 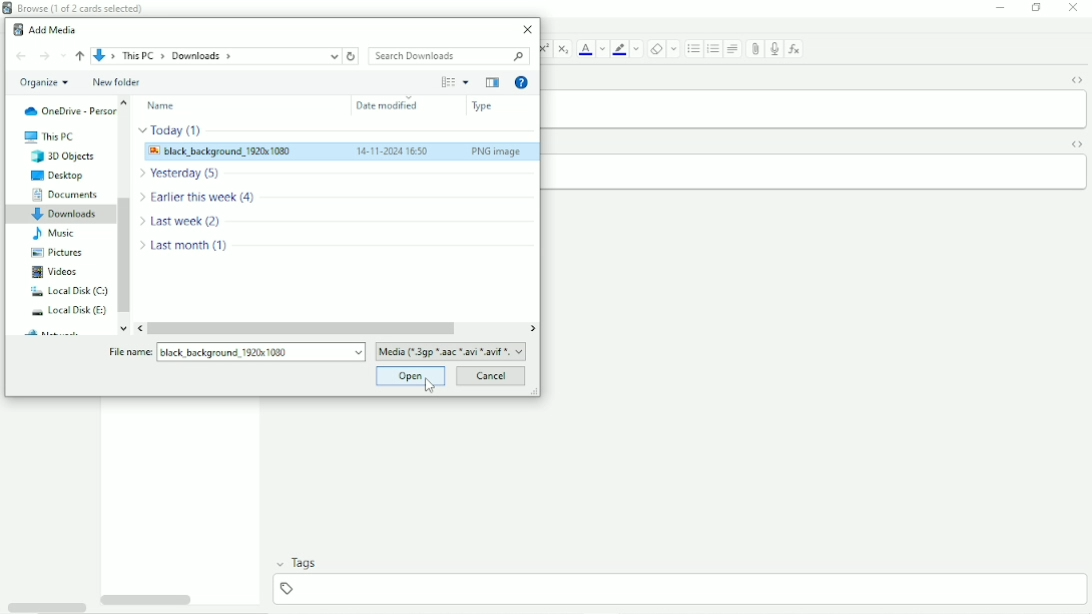 What do you see at coordinates (602, 49) in the screenshot?
I see `Change color` at bounding box center [602, 49].